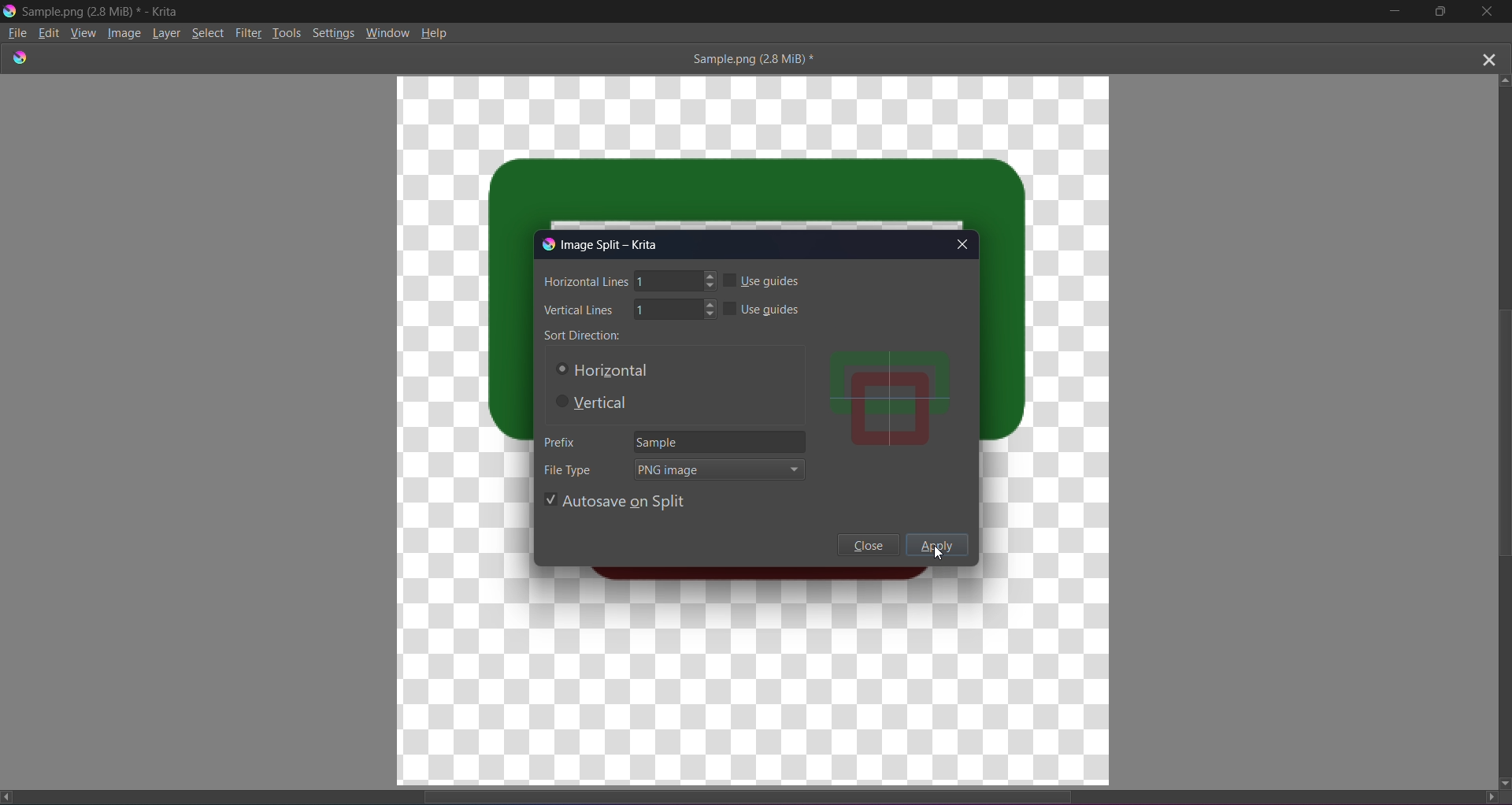  Describe the element at coordinates (583, 334) in the screenshot. I see `Sort Direction:` at that location.